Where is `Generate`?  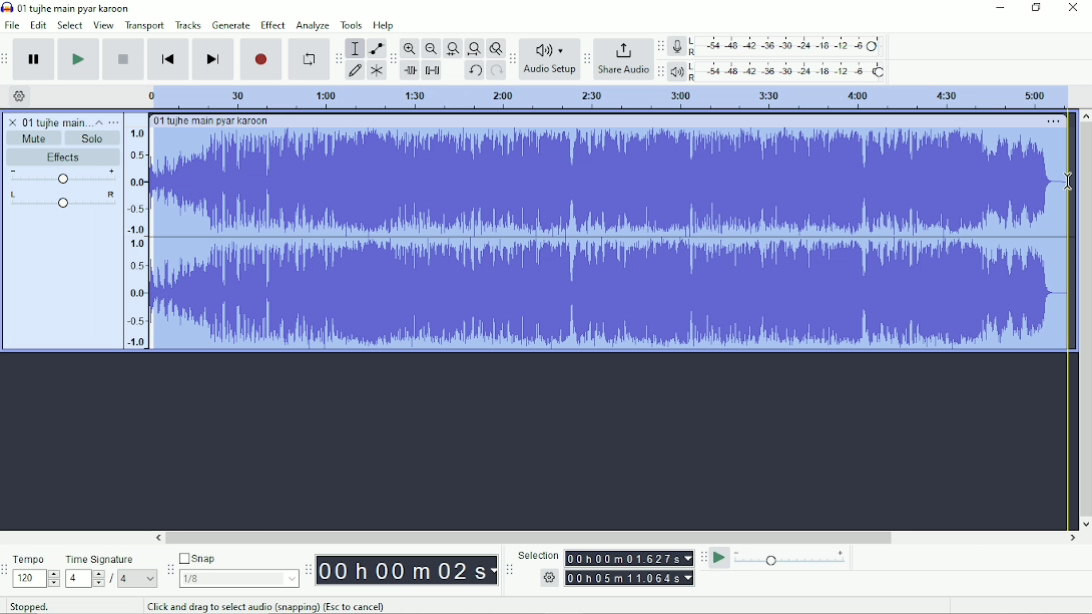
Generate is located at coordinates (231, 25).